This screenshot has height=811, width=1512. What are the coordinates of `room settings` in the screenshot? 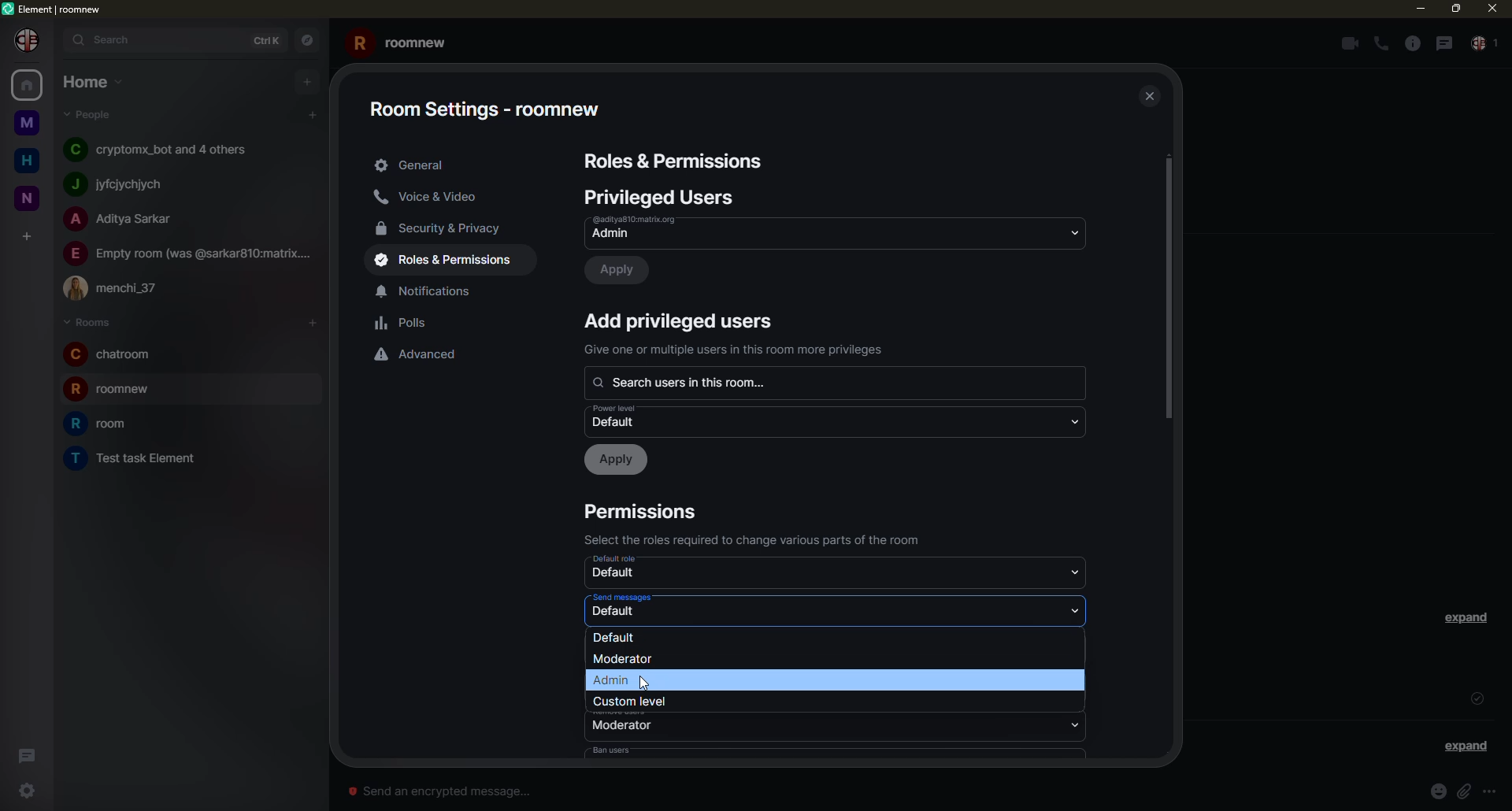 It's located at (492, 104).